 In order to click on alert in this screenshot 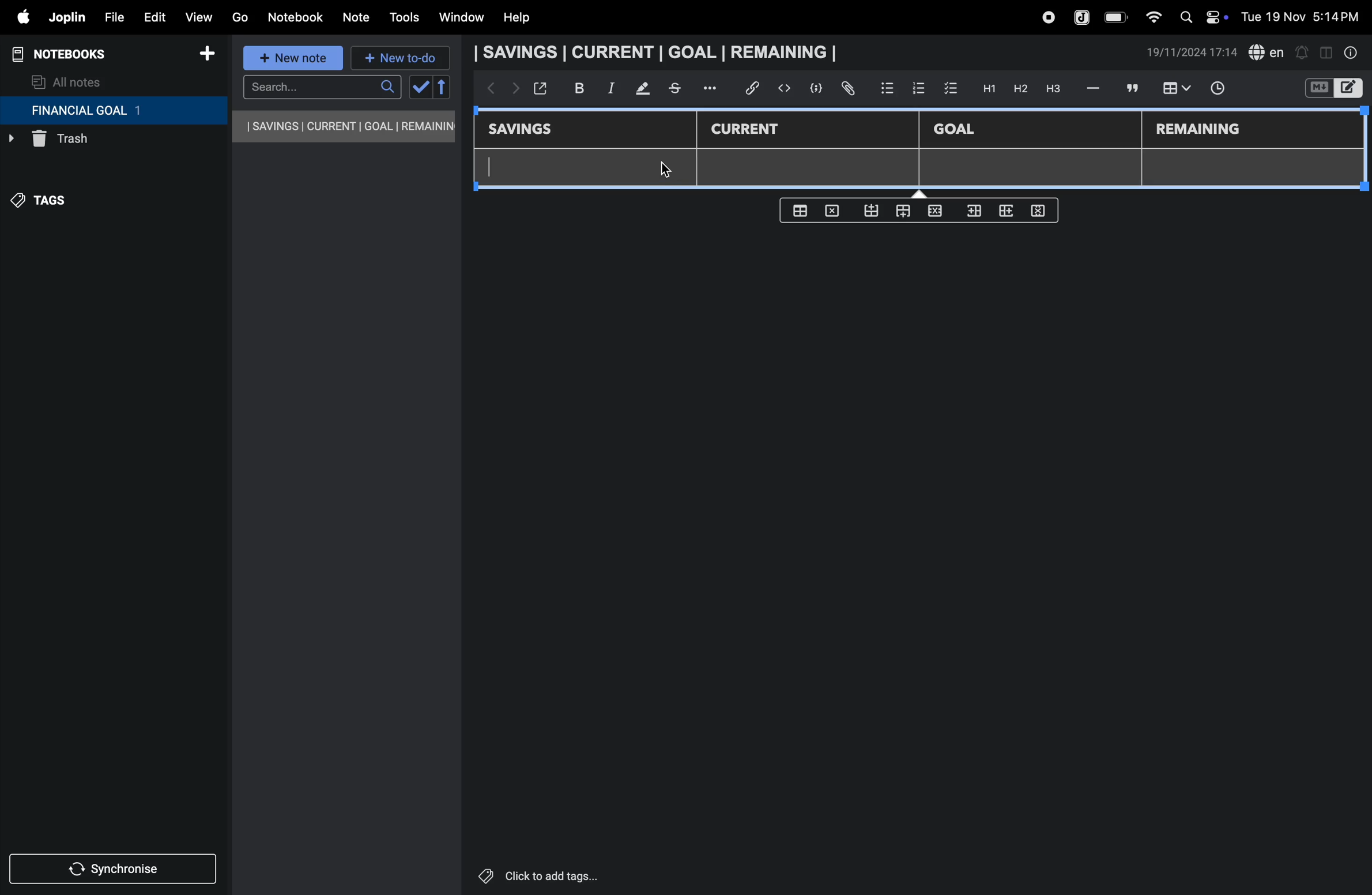, I will do `click(1301, 52)`.